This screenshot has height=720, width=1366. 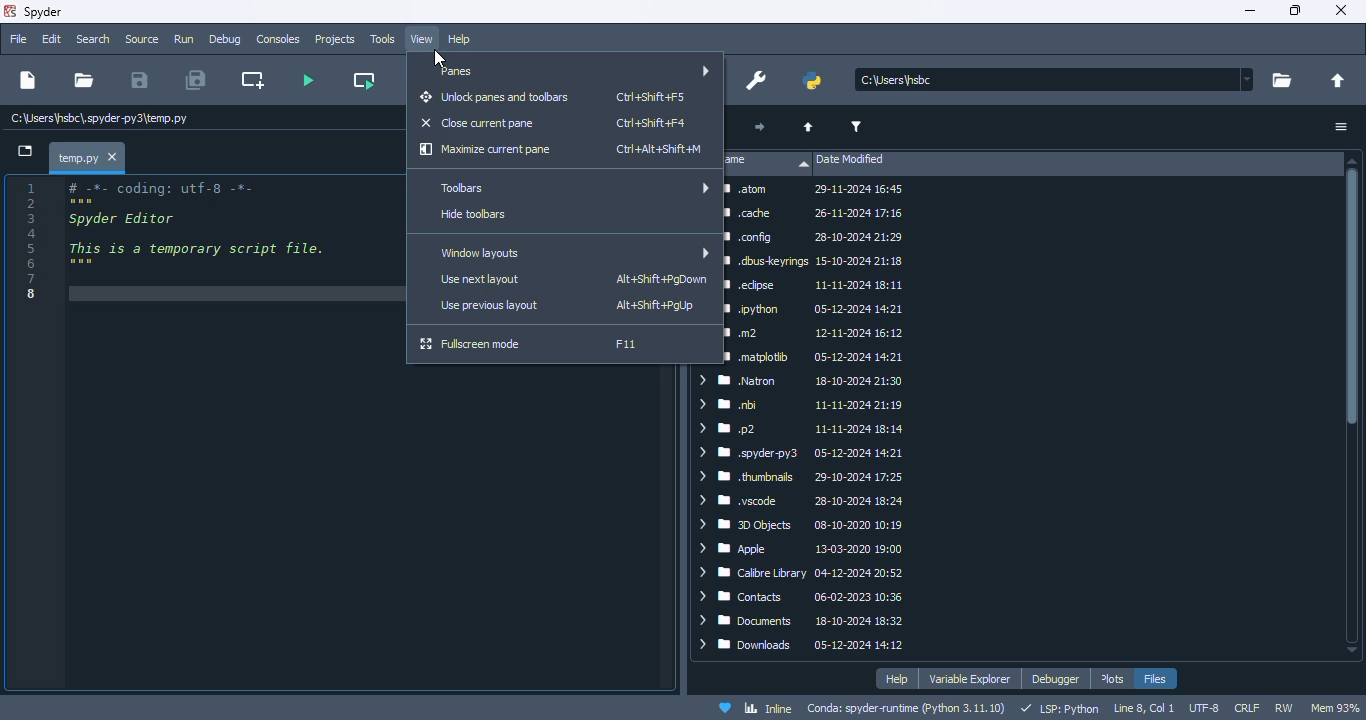 What do you see at coordinates (850, 160) in the screenshot?
I see `date modified` at bounding box center [850, 160].